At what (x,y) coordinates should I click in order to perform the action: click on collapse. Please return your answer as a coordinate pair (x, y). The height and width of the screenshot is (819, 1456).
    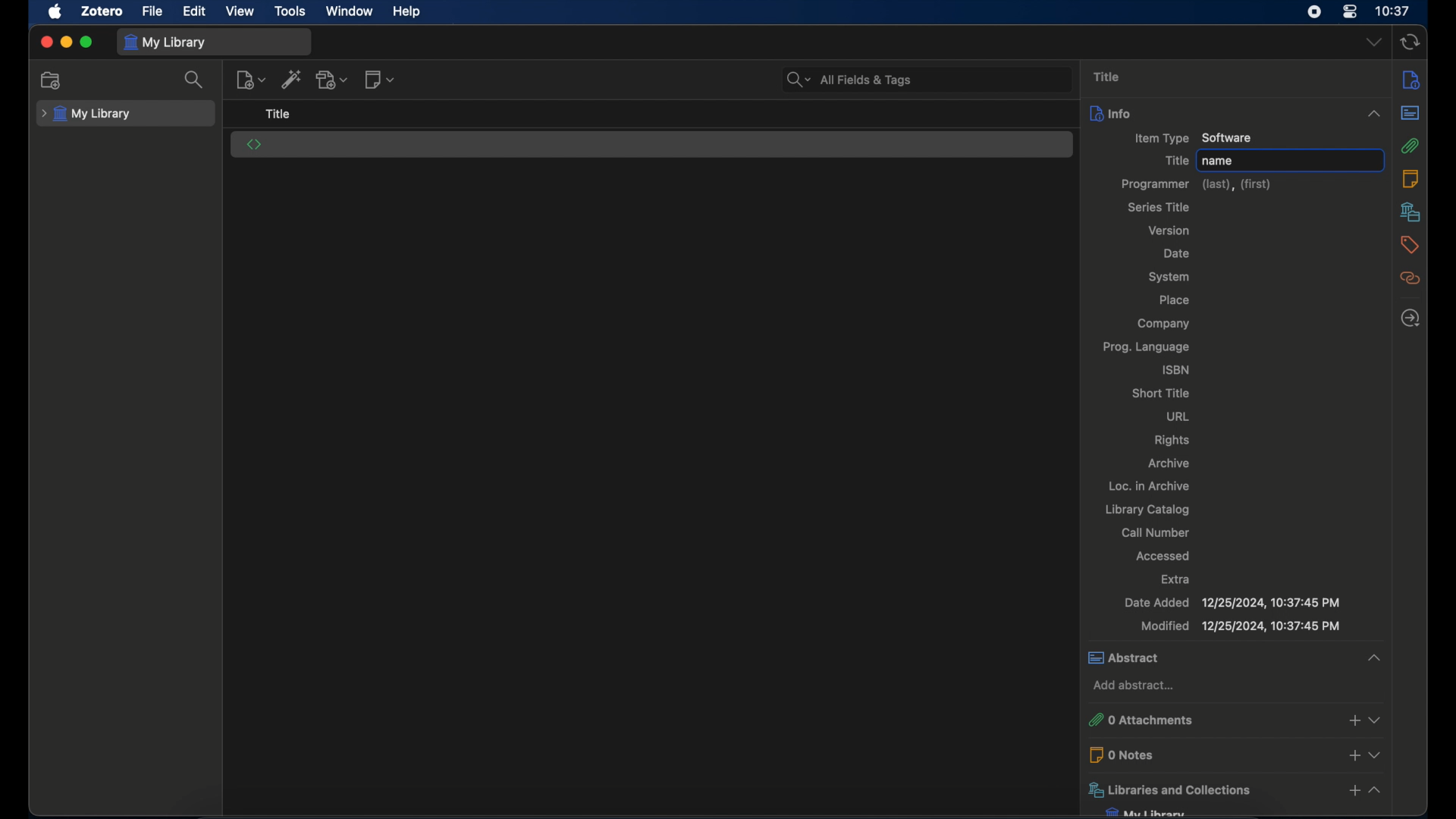
    Looking at the image, I should click on (1370, 656).